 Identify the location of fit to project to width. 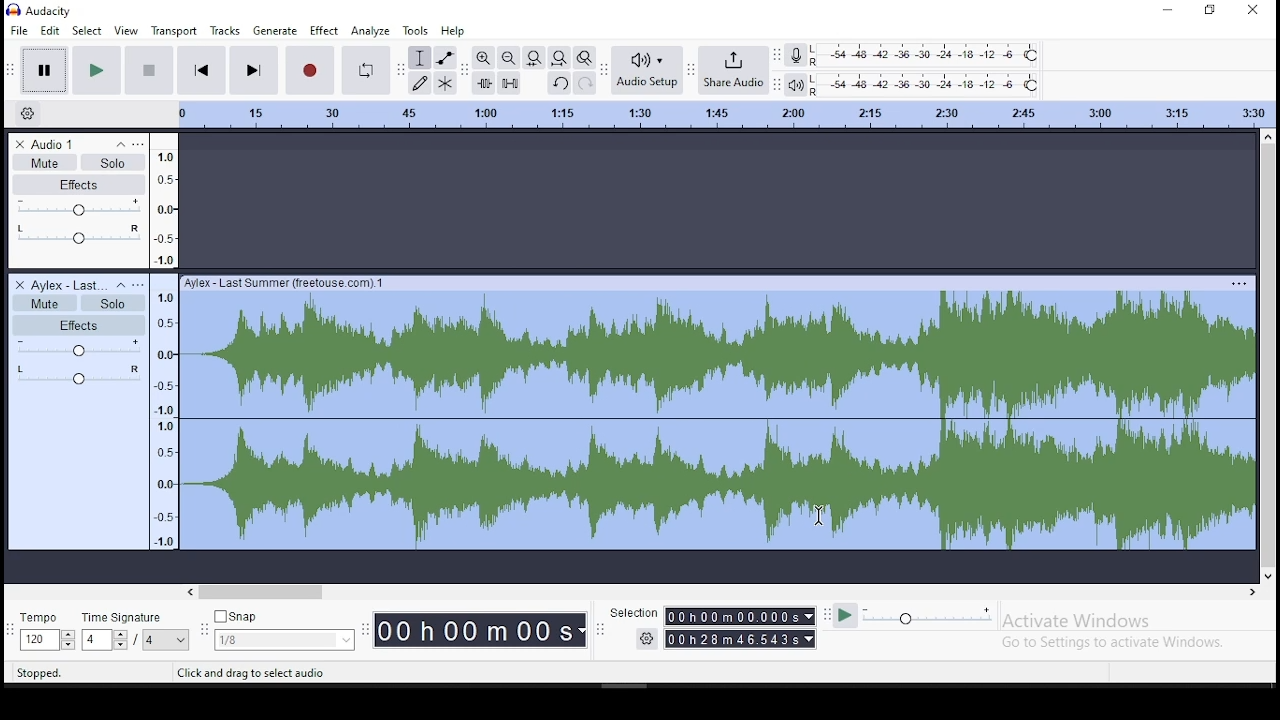
(559, 59).